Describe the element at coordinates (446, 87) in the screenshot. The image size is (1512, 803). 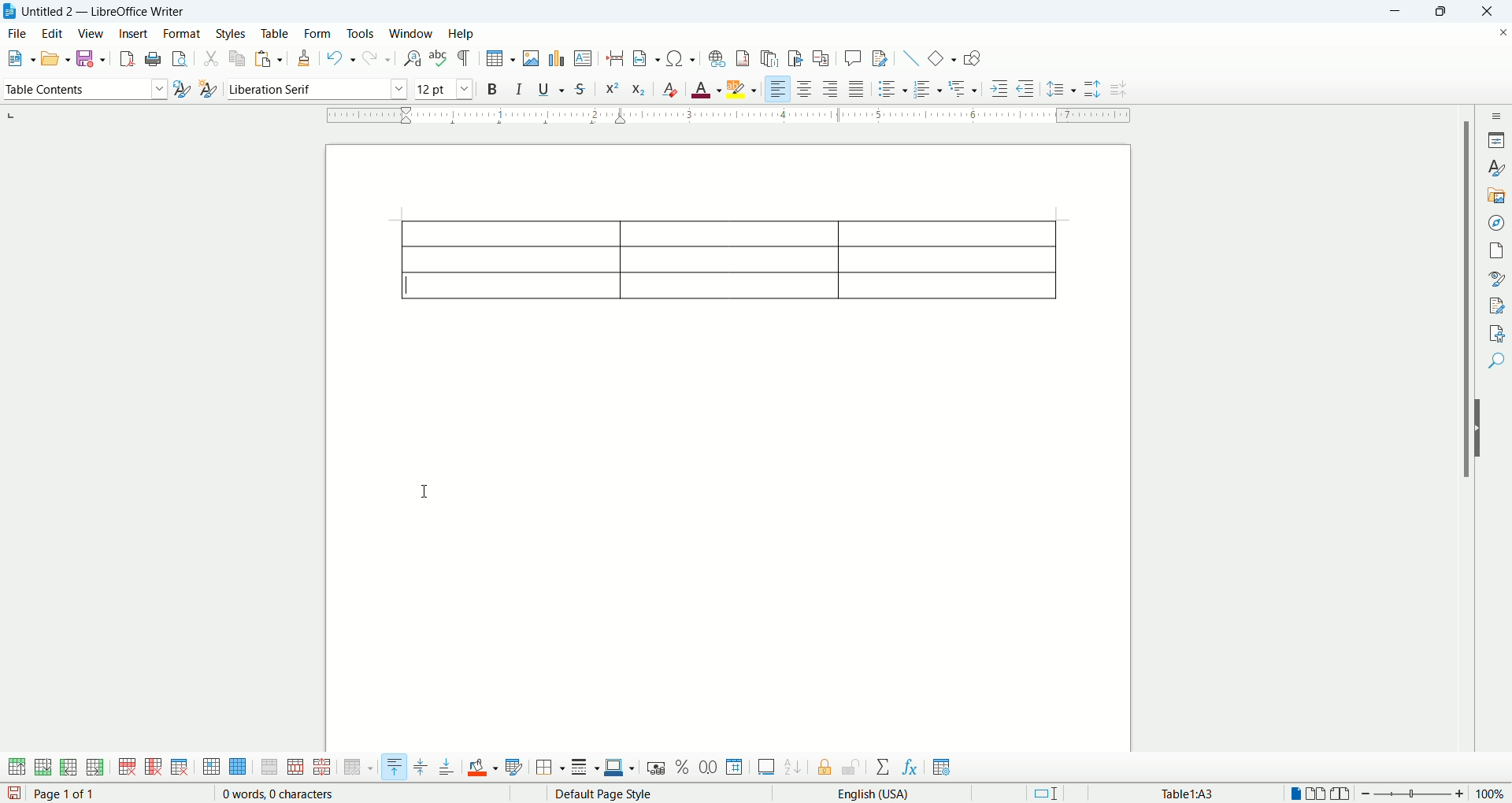
I see `font size` at that location.